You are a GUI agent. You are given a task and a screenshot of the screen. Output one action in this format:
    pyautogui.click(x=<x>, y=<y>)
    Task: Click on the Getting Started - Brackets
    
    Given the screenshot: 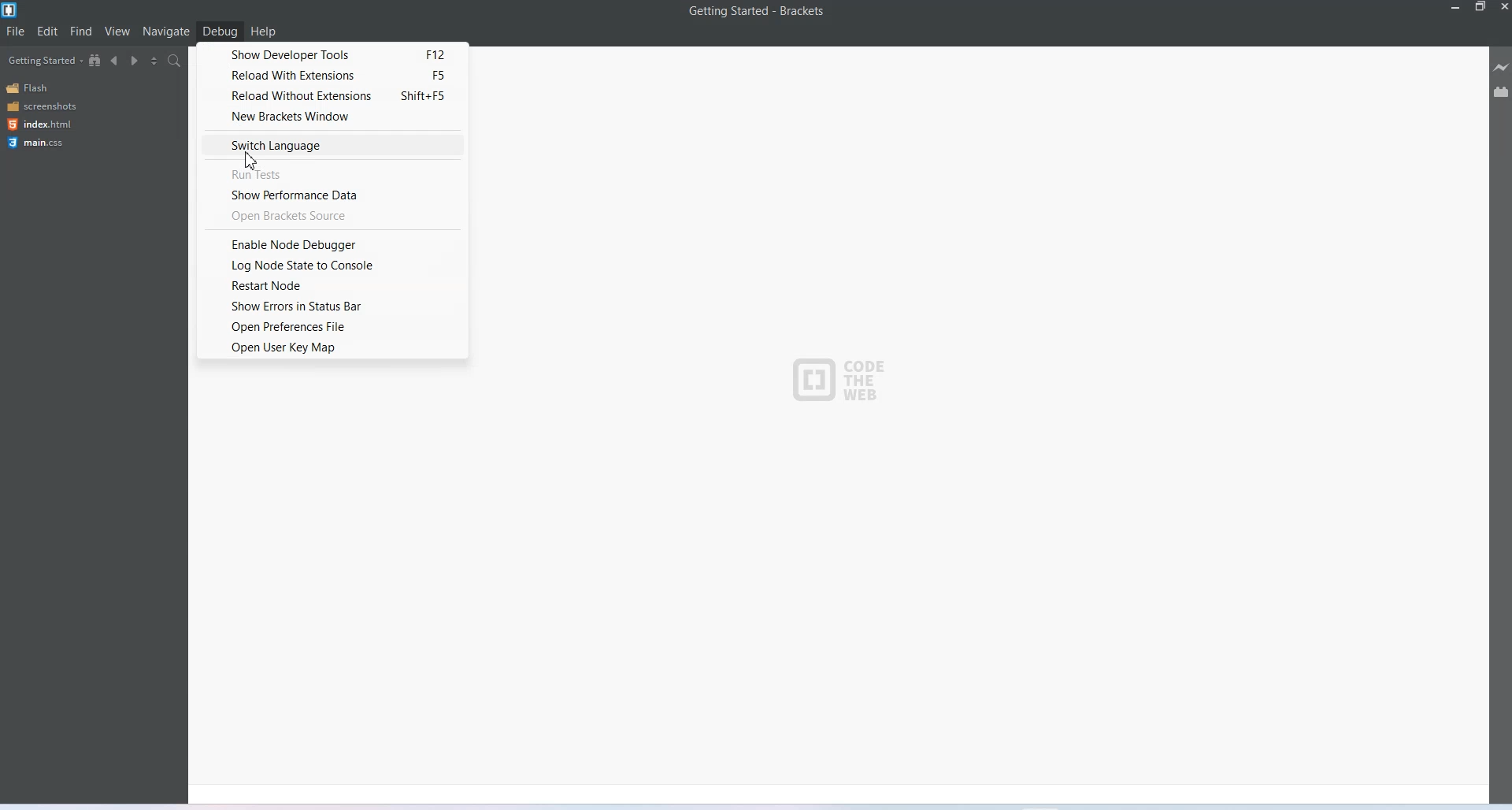 What is the action you would take?
    pyautogui.click(x=756, y=12)
    